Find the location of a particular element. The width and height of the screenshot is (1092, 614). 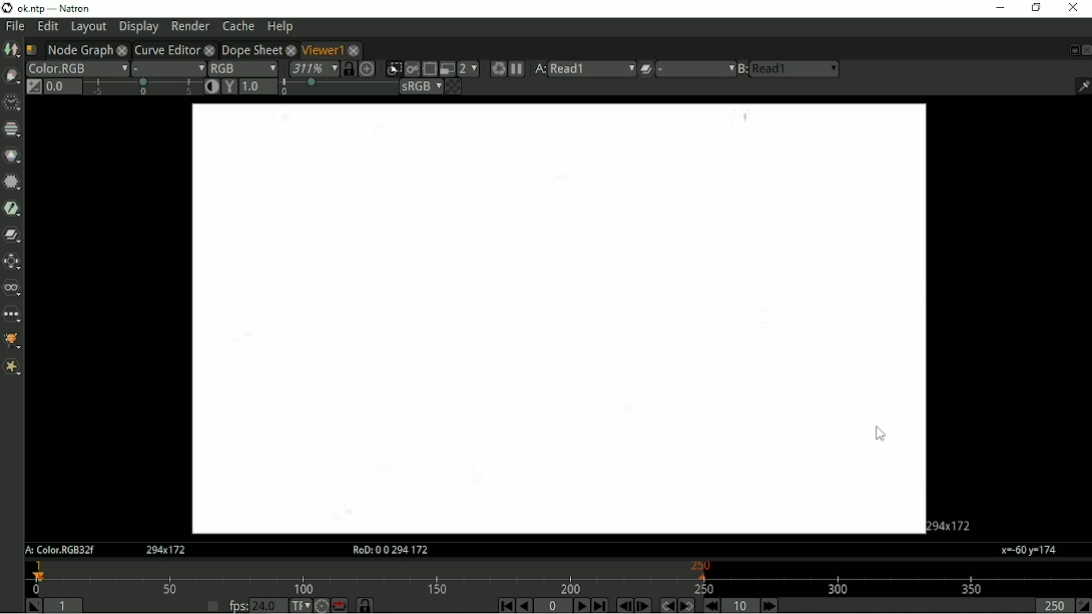

Node Graph is located at coordinates (78, 49).